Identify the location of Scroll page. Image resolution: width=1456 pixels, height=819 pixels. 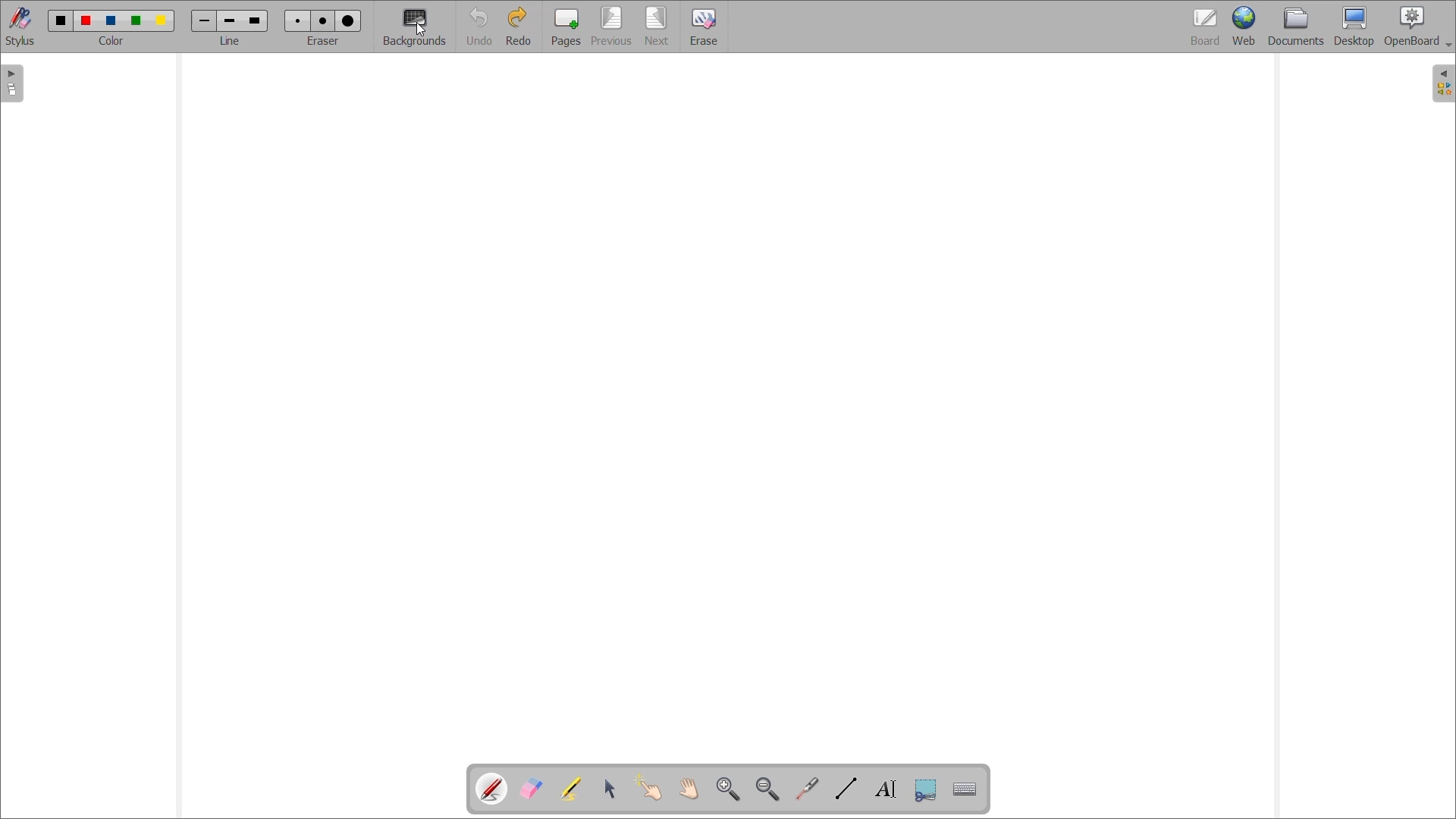
(689, 789).